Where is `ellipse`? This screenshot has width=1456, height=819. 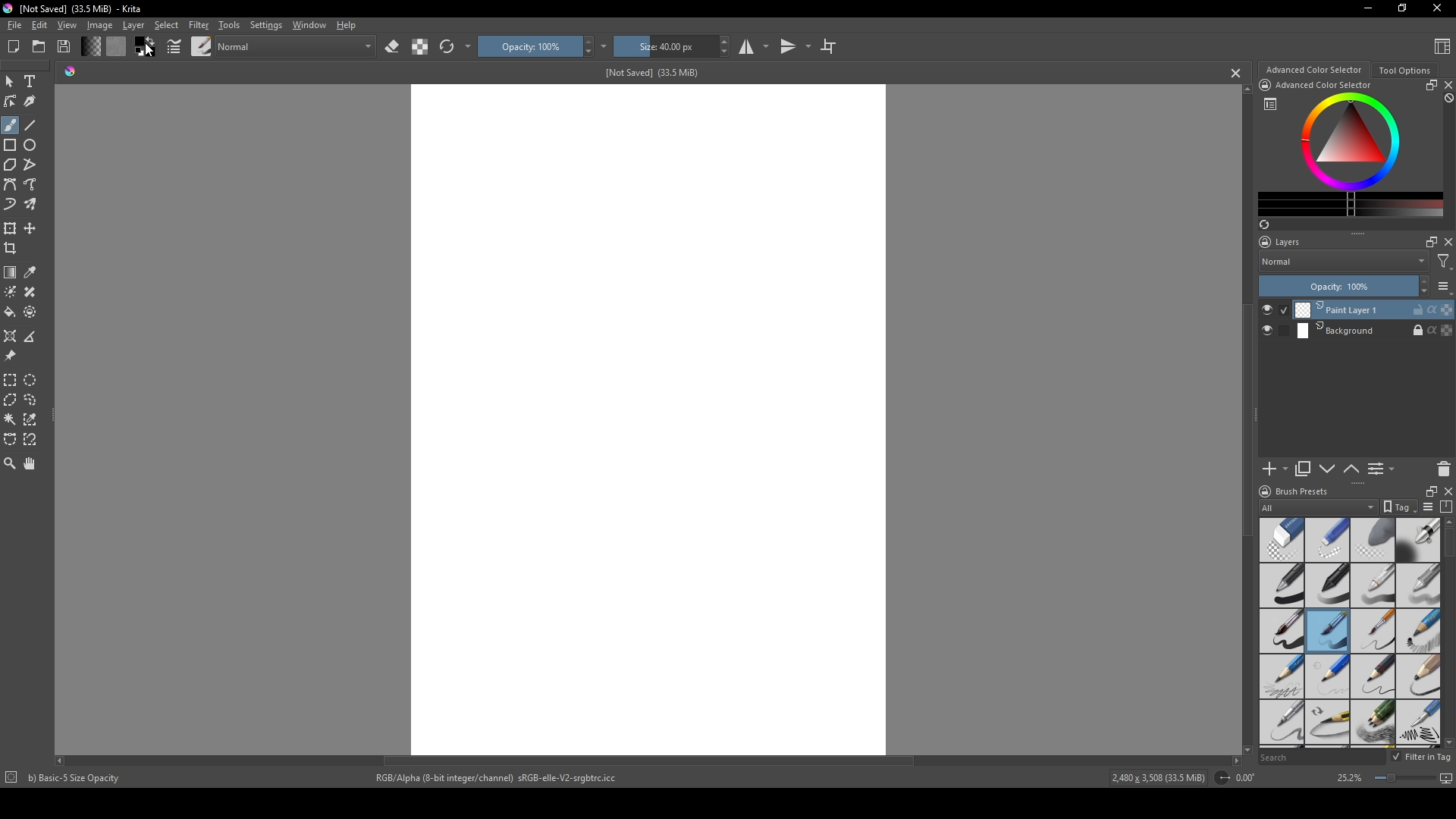
ellipse is located at coordinates (31, 145).